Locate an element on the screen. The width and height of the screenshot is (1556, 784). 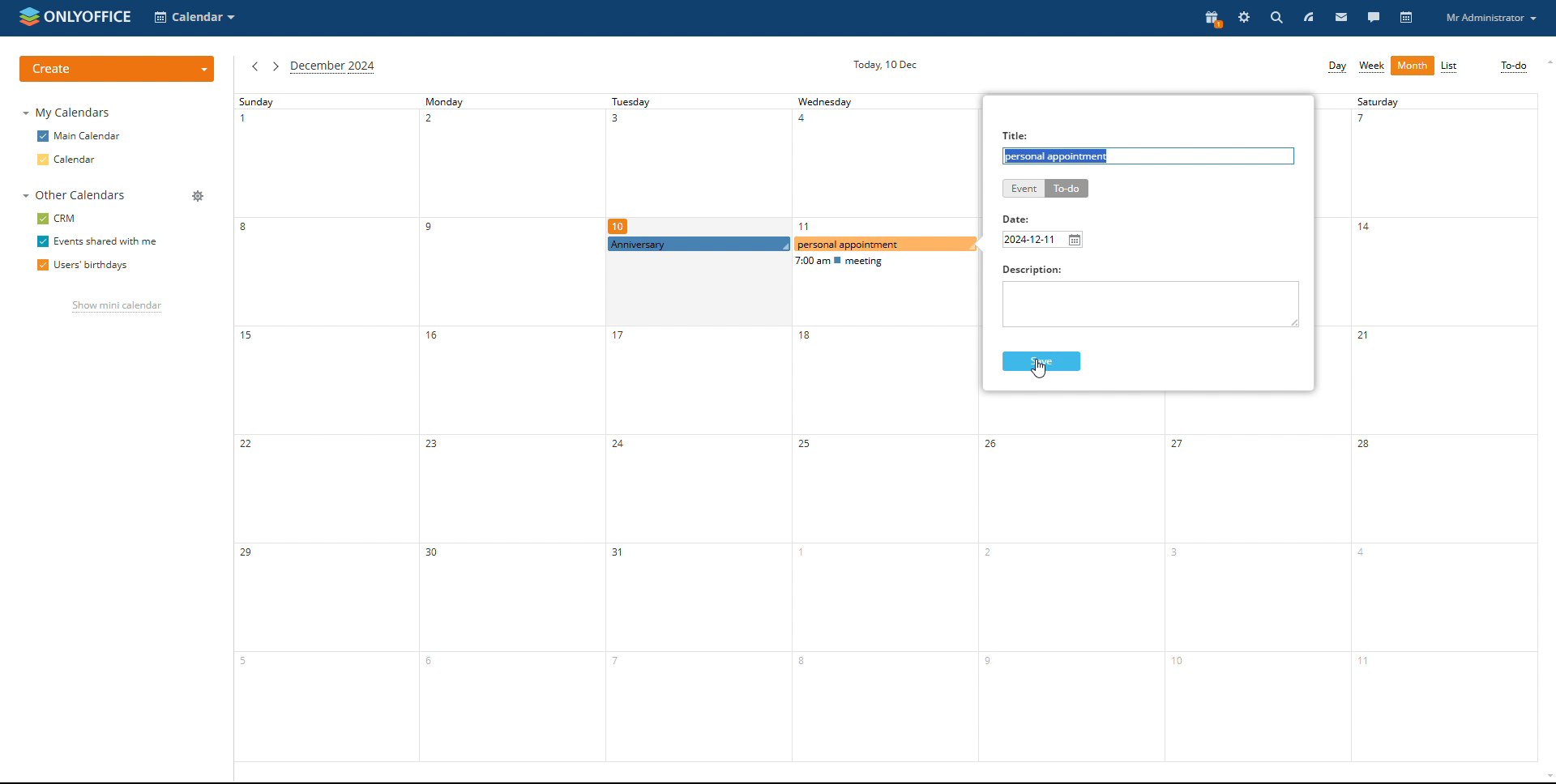
Title: is located at coordinates (1020, 132).